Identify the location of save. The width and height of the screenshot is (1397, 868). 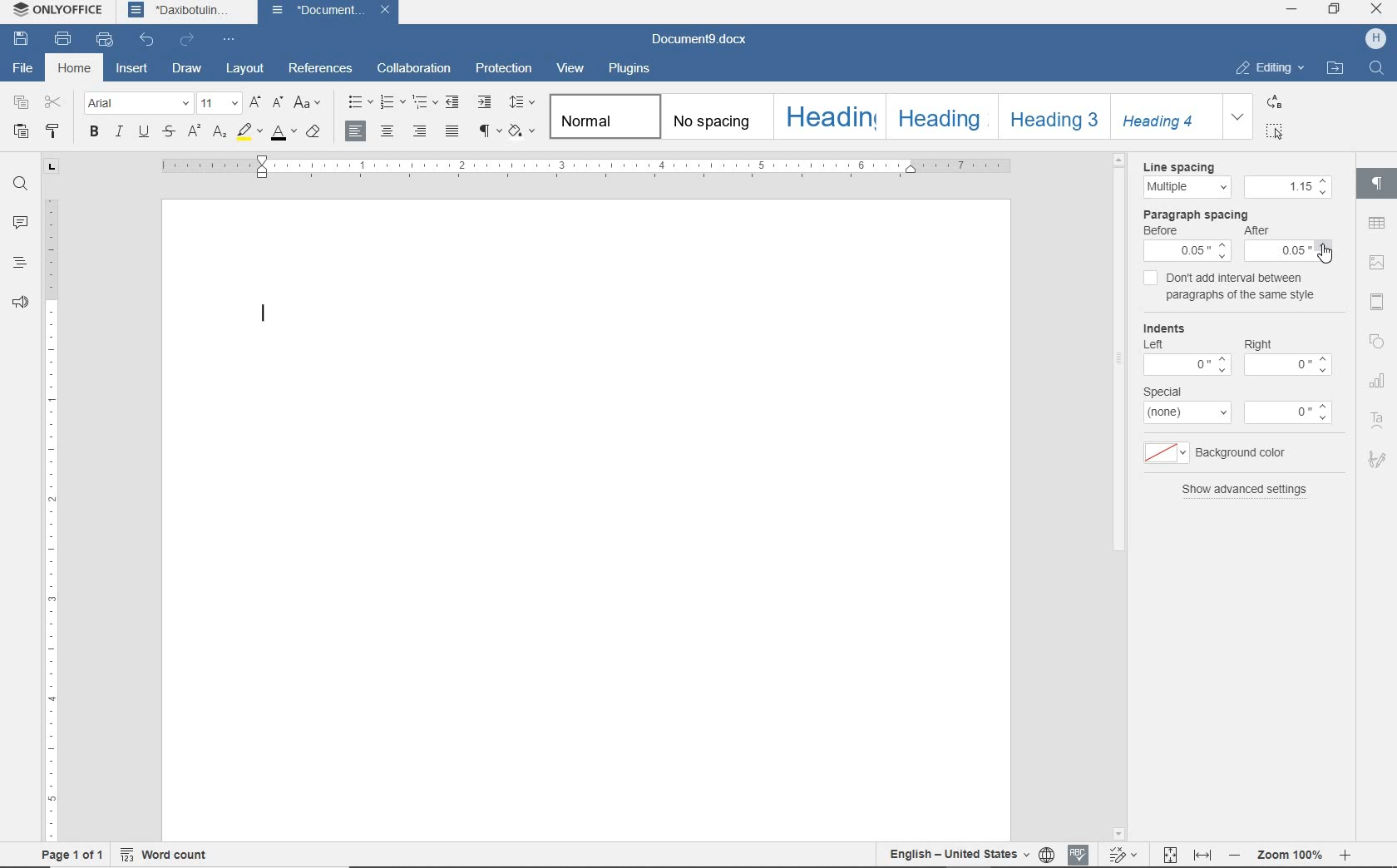
(21, 42).